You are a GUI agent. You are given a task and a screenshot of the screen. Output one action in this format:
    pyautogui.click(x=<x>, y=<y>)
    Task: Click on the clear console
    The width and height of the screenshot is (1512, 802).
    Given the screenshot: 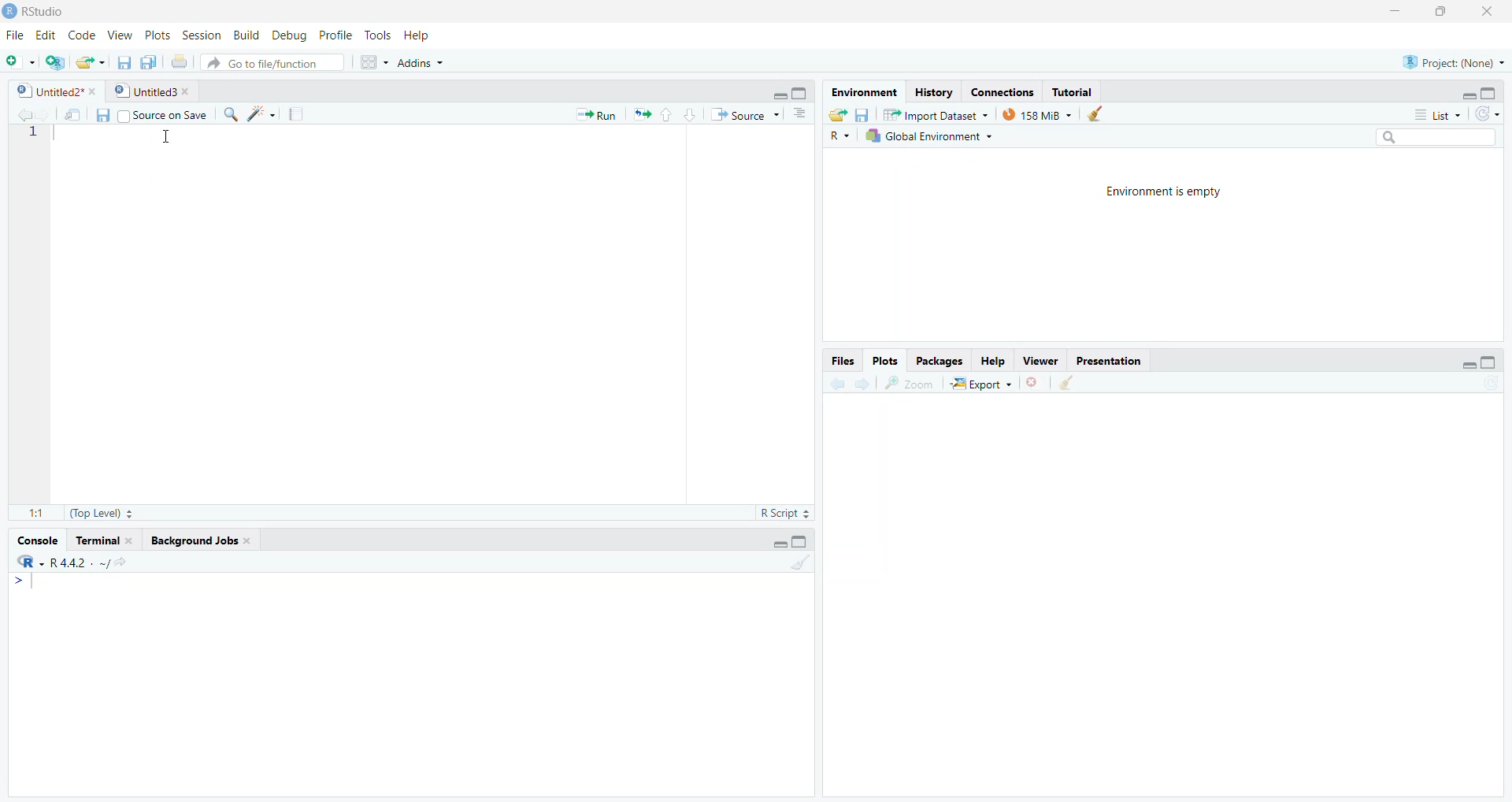 What is the action you would take?
    pyautogui.click(x=799, y=564)
    